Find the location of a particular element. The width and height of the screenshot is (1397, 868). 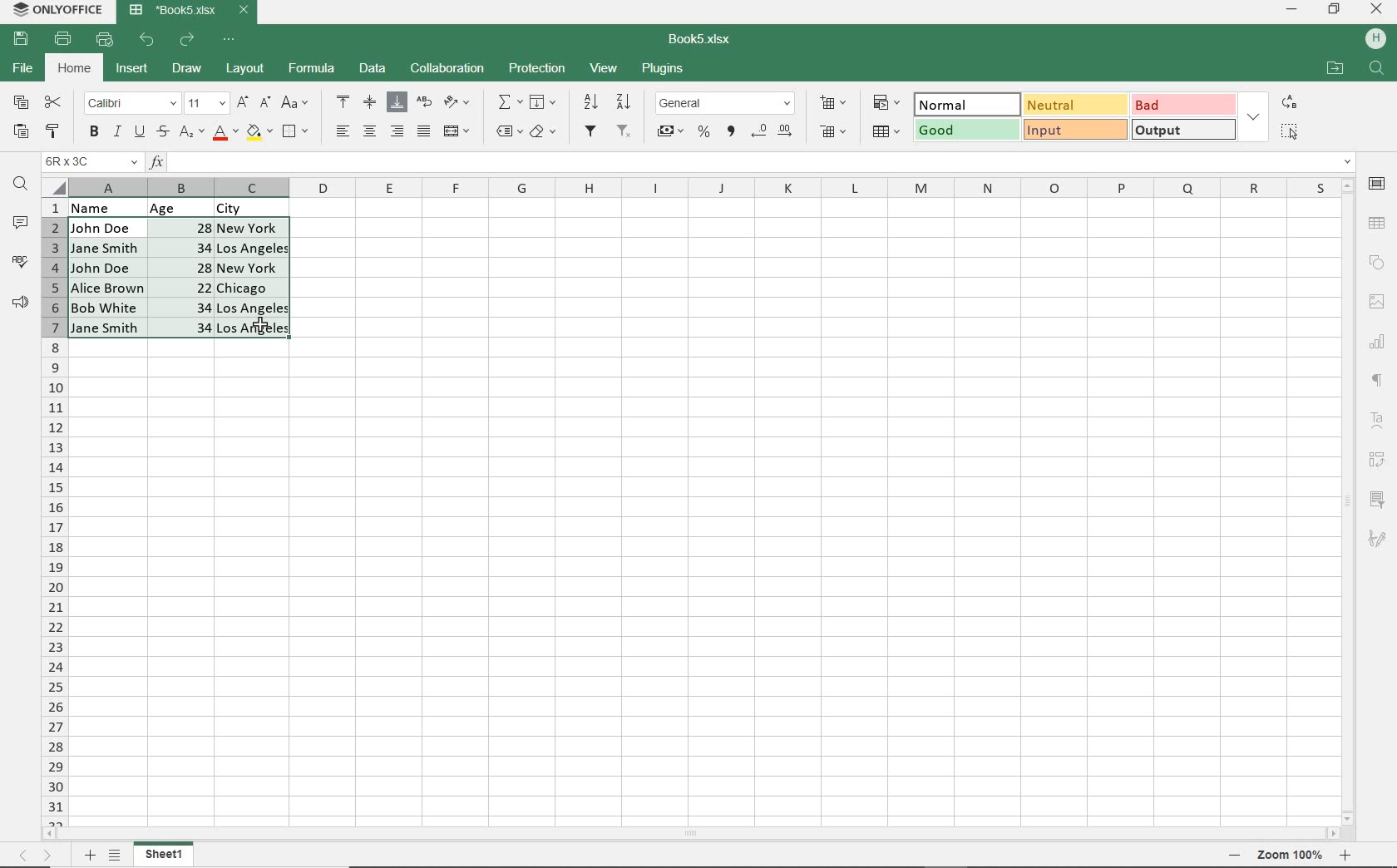

ALIGN RIGHT is located at coordinates (397, 131).